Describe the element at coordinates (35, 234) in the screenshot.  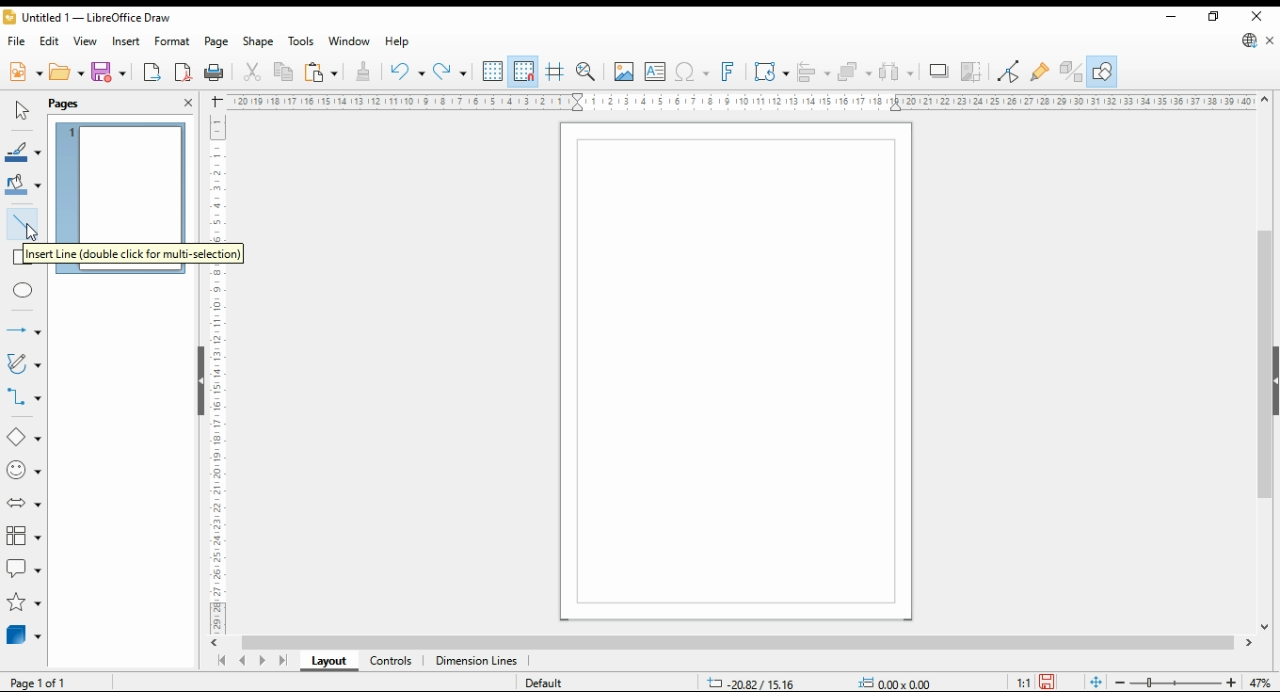
I see `cursor` at that location.